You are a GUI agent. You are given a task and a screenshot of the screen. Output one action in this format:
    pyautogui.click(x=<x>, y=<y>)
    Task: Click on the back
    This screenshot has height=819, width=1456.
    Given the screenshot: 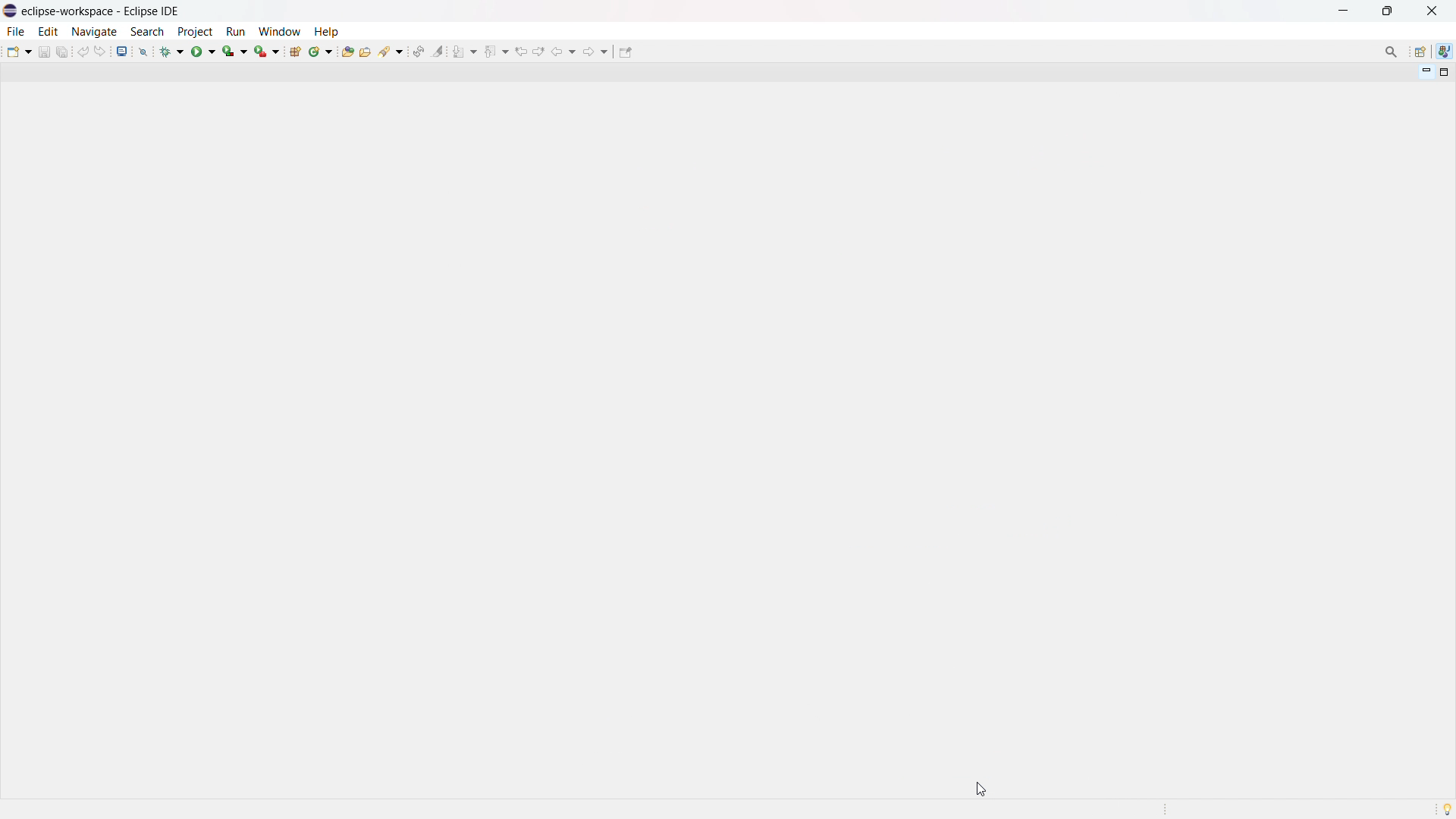 What is the action you would take?
    pyautogui.click(x=563, y=52)
    